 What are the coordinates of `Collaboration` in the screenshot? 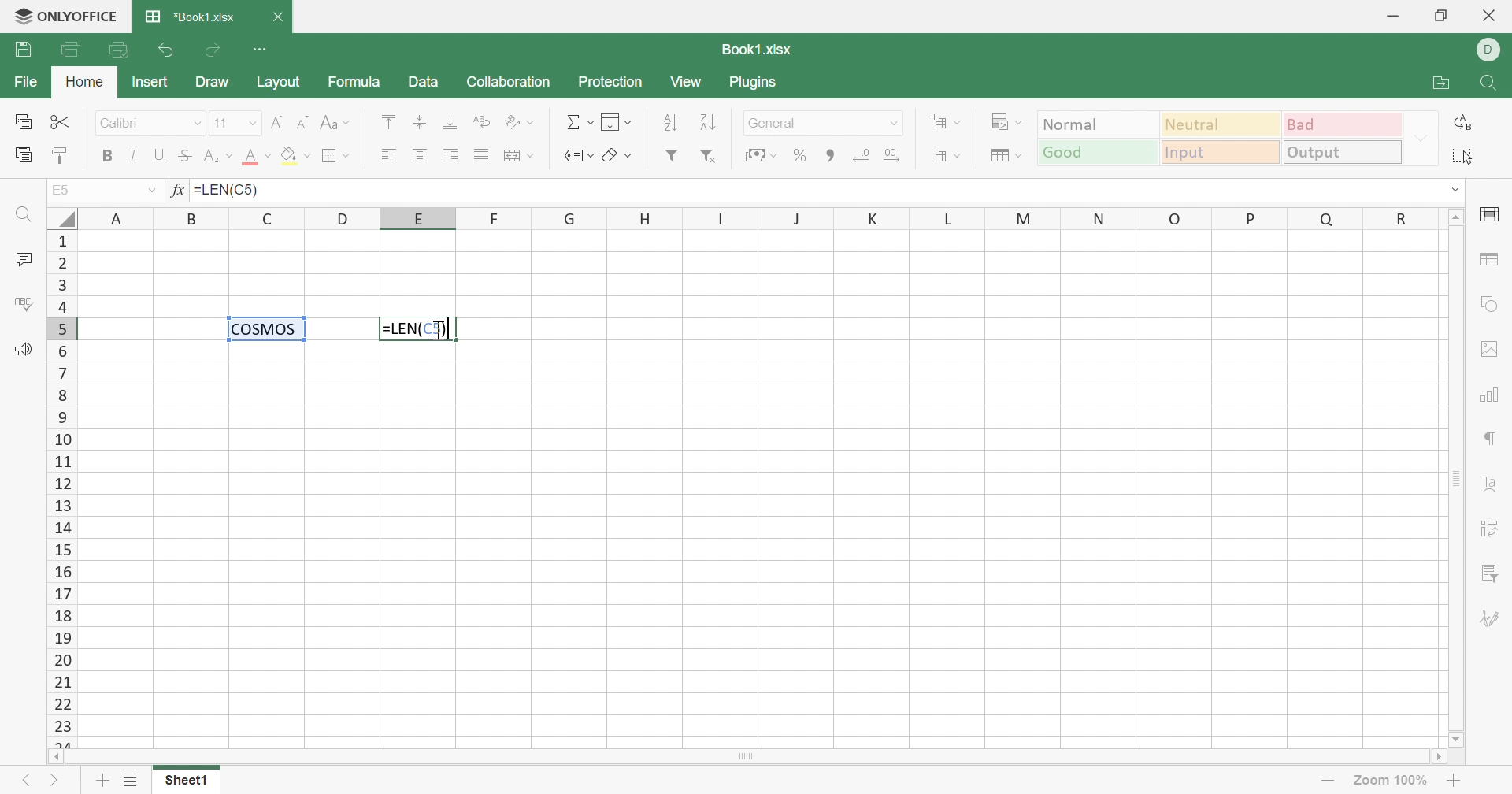 It's located at (510, 82).